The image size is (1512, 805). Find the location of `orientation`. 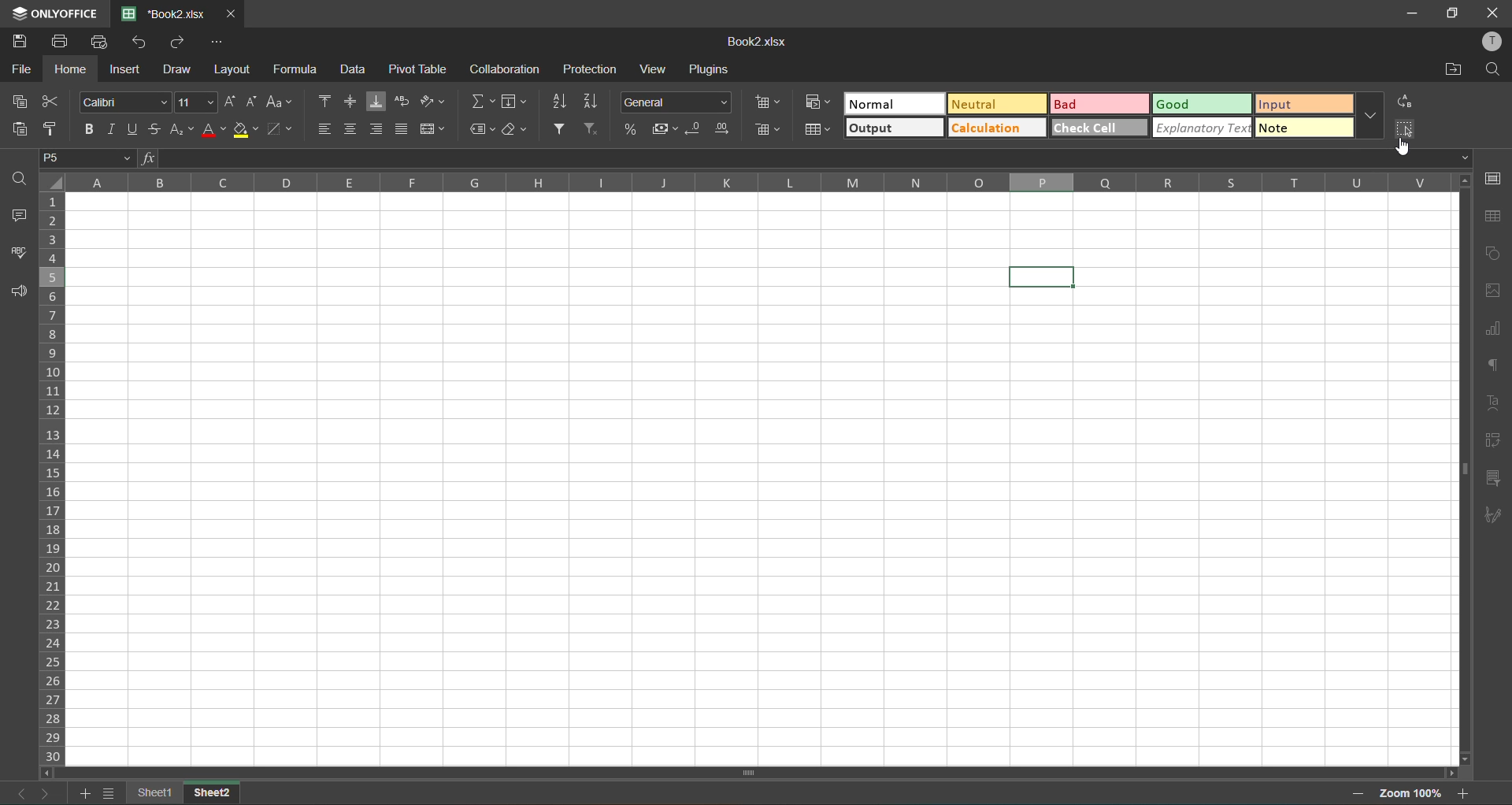

orientation is located at coordinates (431, 102).